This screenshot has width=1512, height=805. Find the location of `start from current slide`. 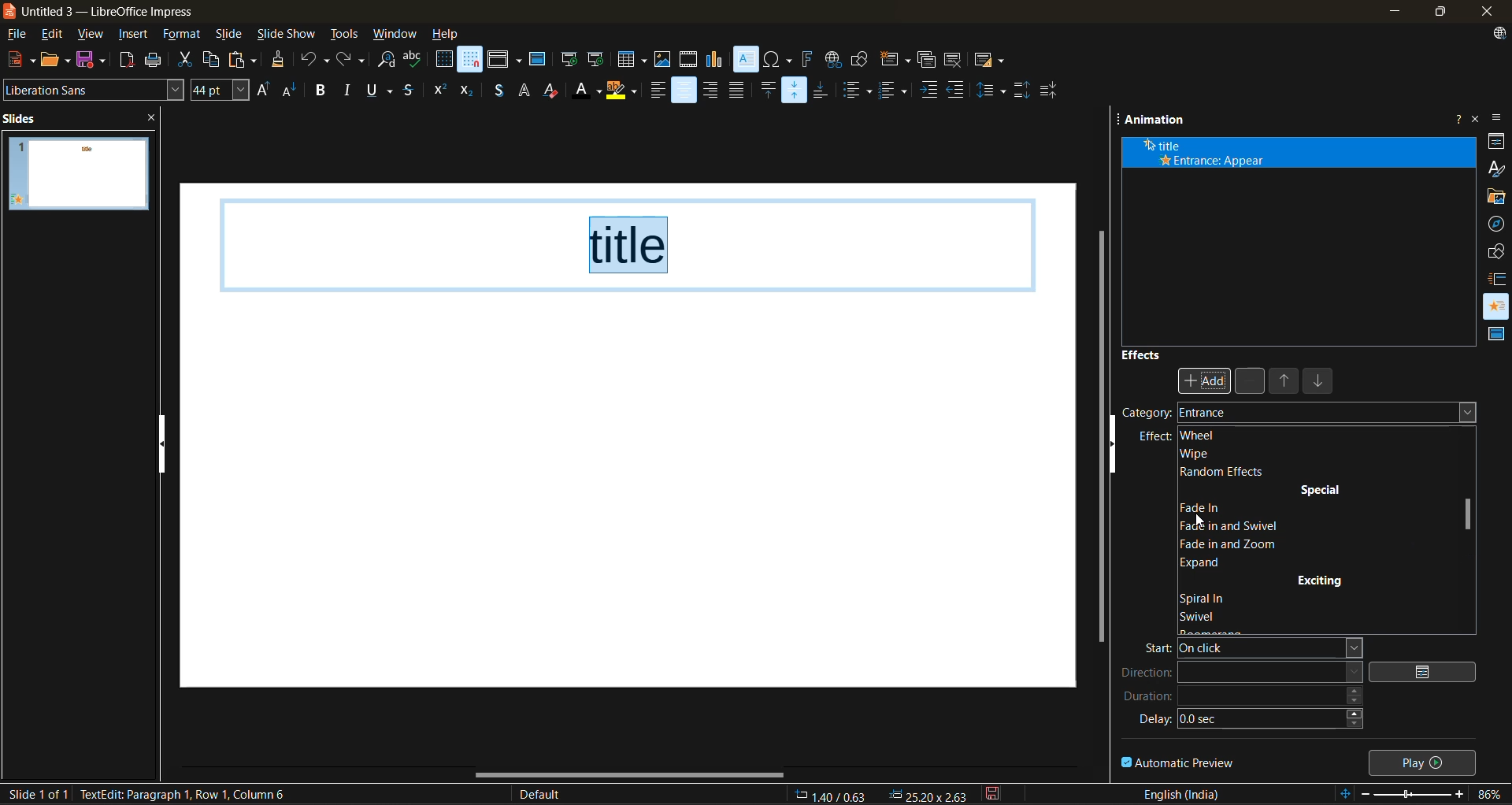

start from current slide is located at coordinates (595, 59).